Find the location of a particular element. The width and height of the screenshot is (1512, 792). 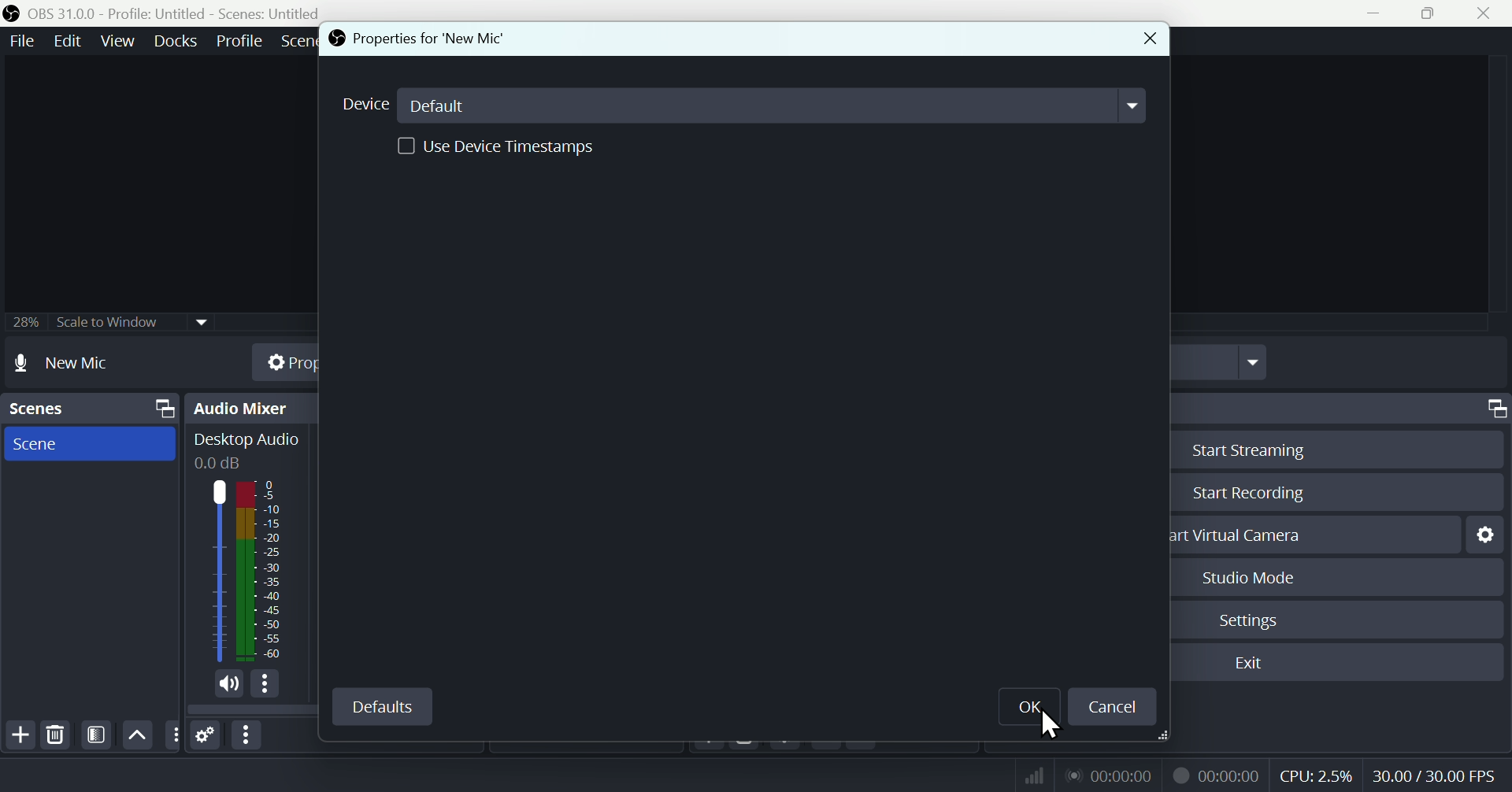

0.0dB is located at coordinates (220, 464).